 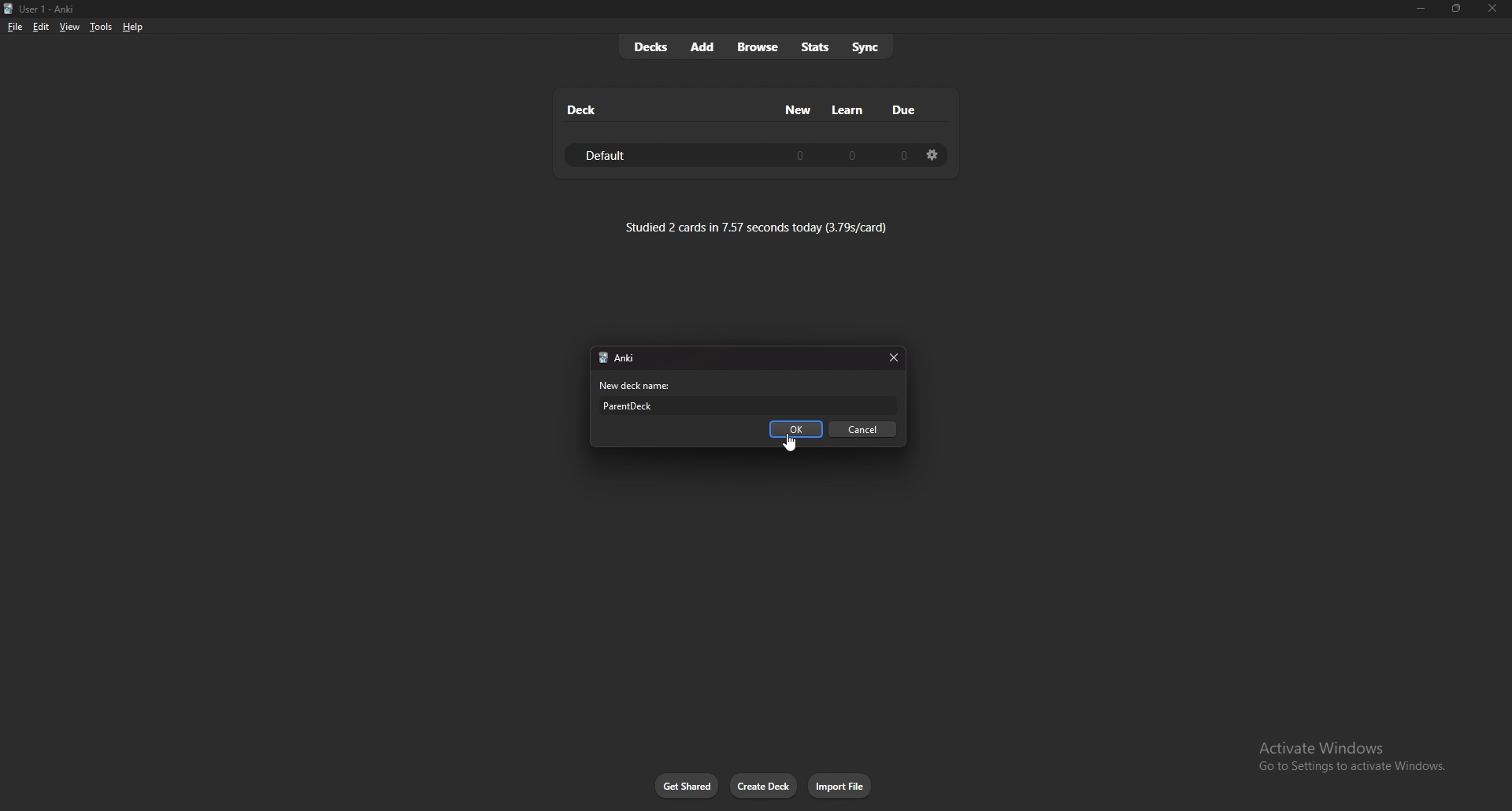 What do you see at coordinates (902, 155) in the screenshot?
I see `0` at bounding box center [902, 155].